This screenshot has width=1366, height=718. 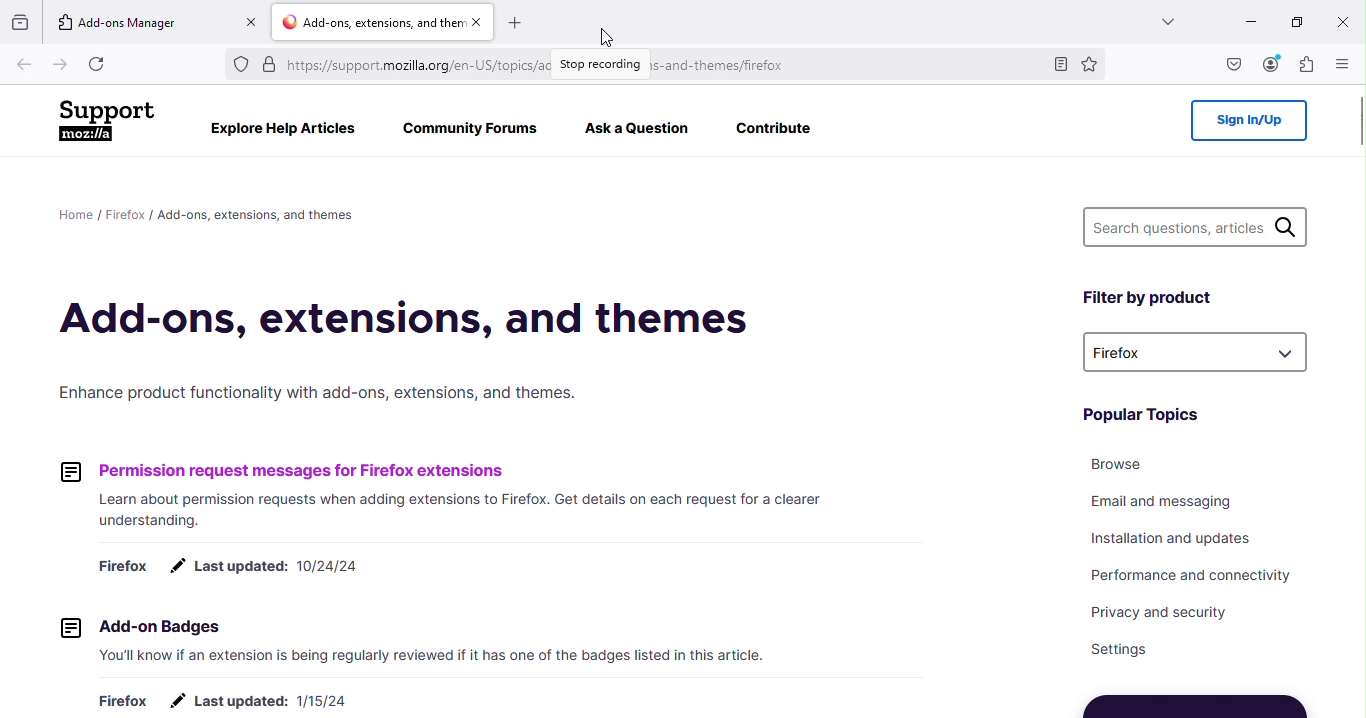 What do you see at coordinates (514, 23) in the screenshot?
I see `Open a new tab` at bounding box center [514, 23].